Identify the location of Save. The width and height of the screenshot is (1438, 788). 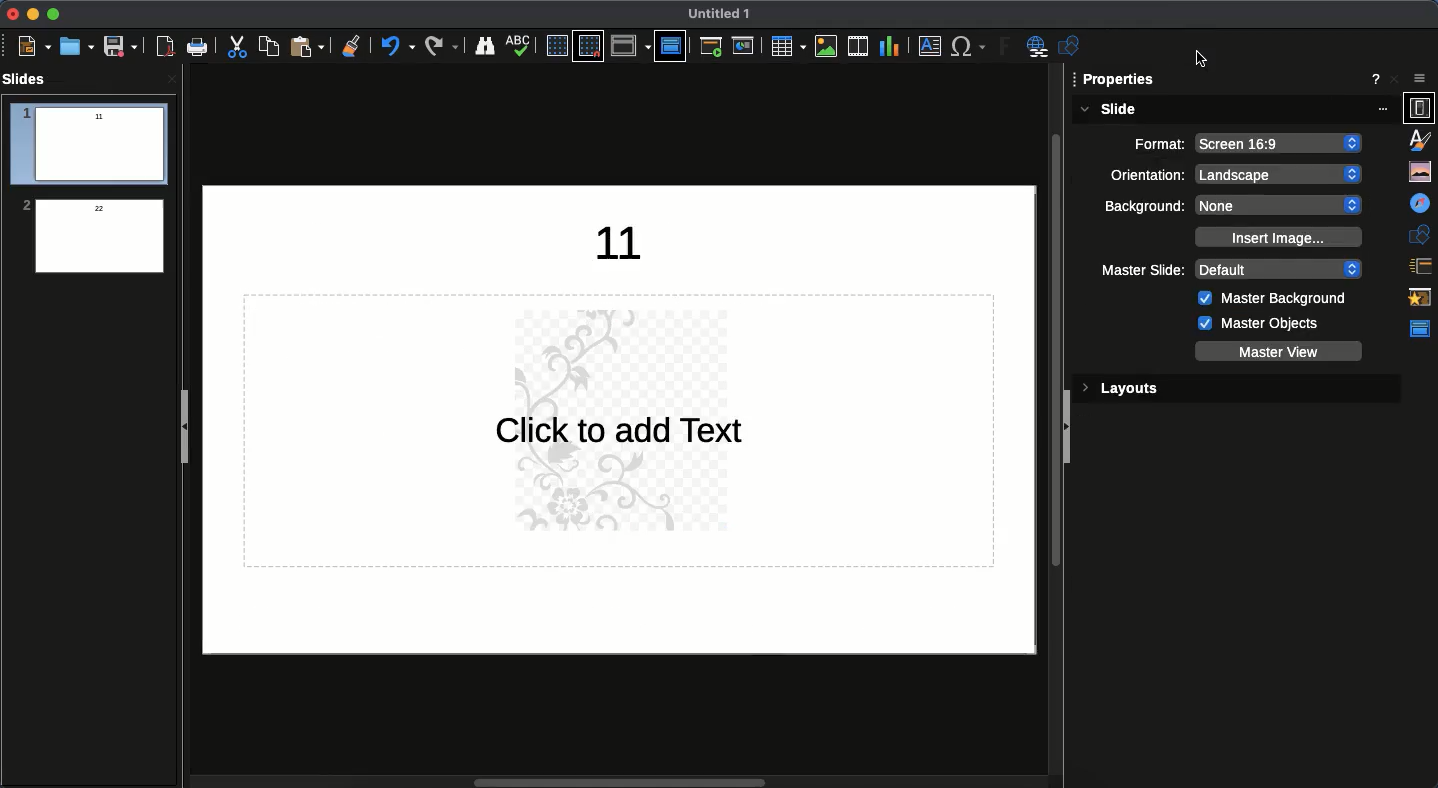
(119, 47).